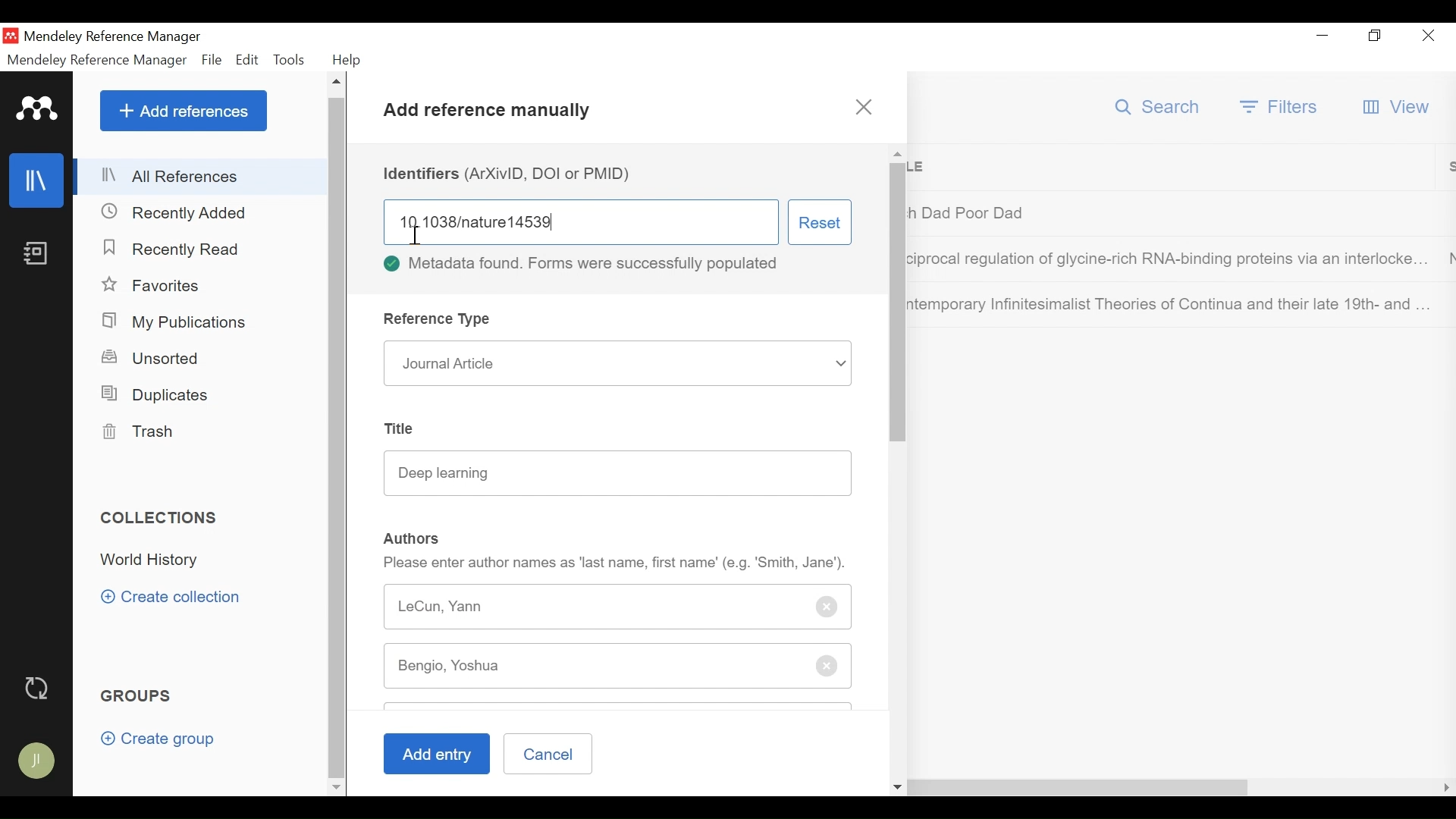 This screenshot has width=1456, height=819. I want to click on Duplicates, so click(157, 393).